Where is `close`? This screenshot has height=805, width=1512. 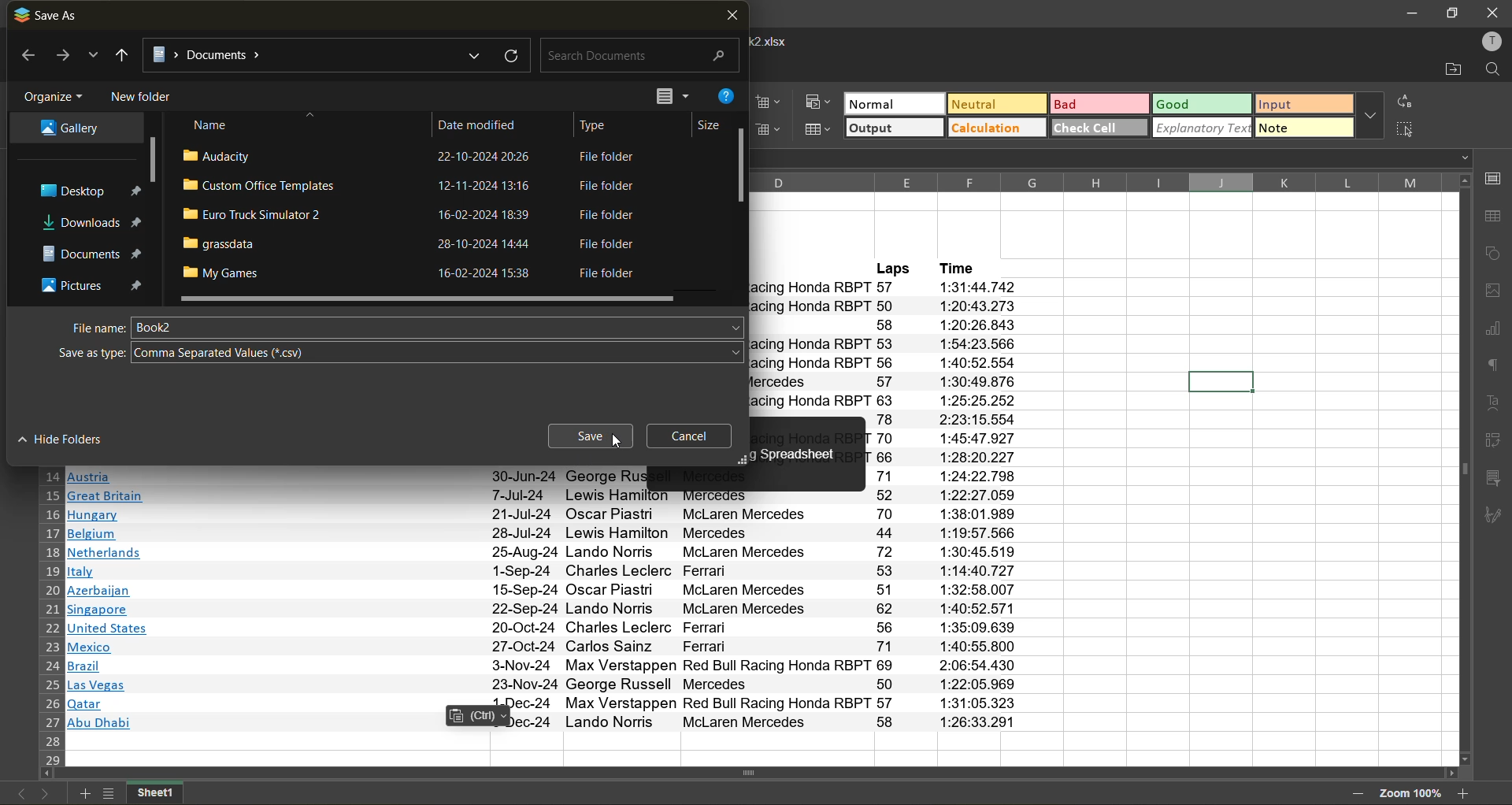
close is located at coordinates (732, 17).